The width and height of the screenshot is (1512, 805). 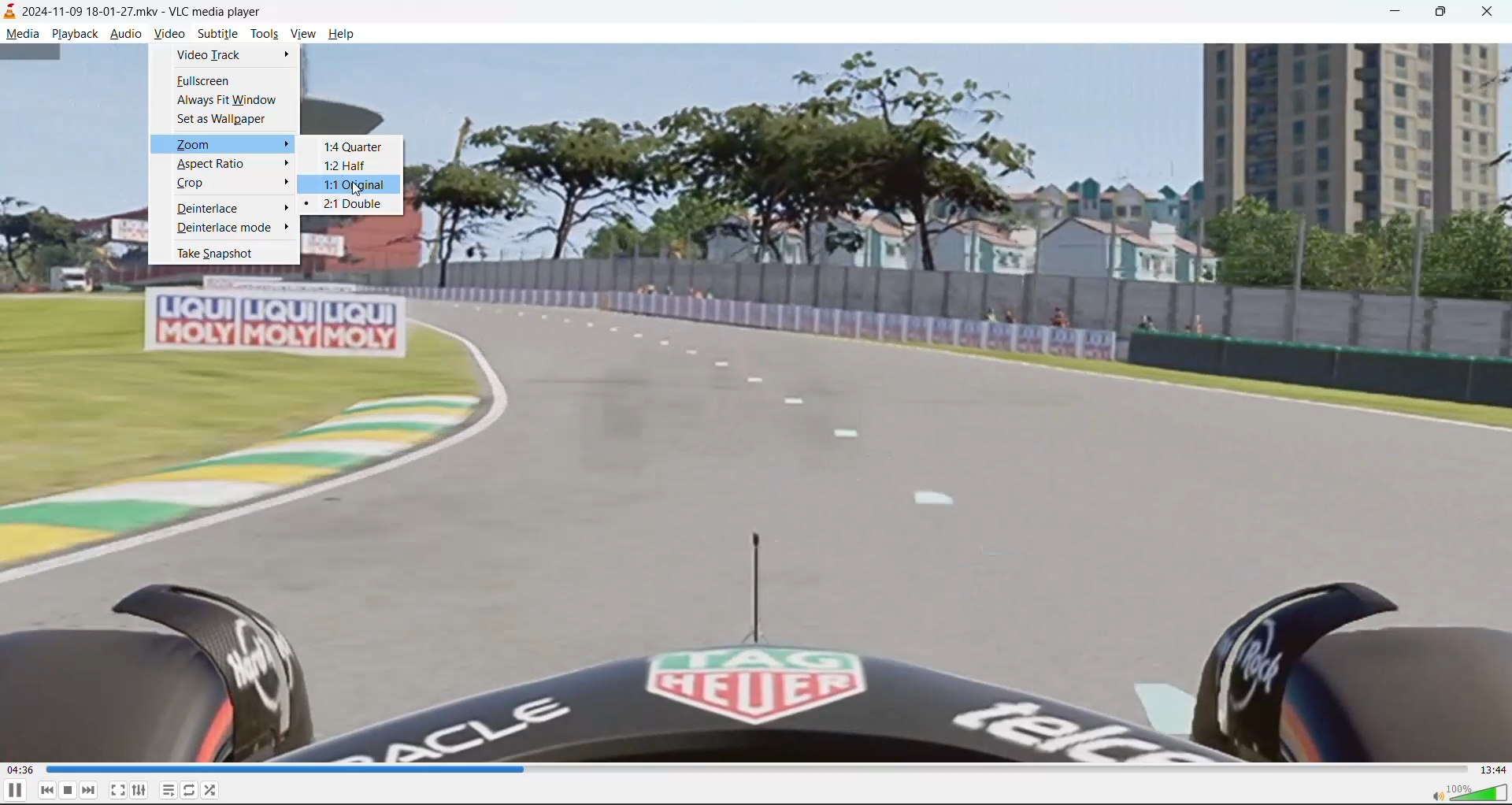 I want to click on volume, so click(x=1470, y=792).